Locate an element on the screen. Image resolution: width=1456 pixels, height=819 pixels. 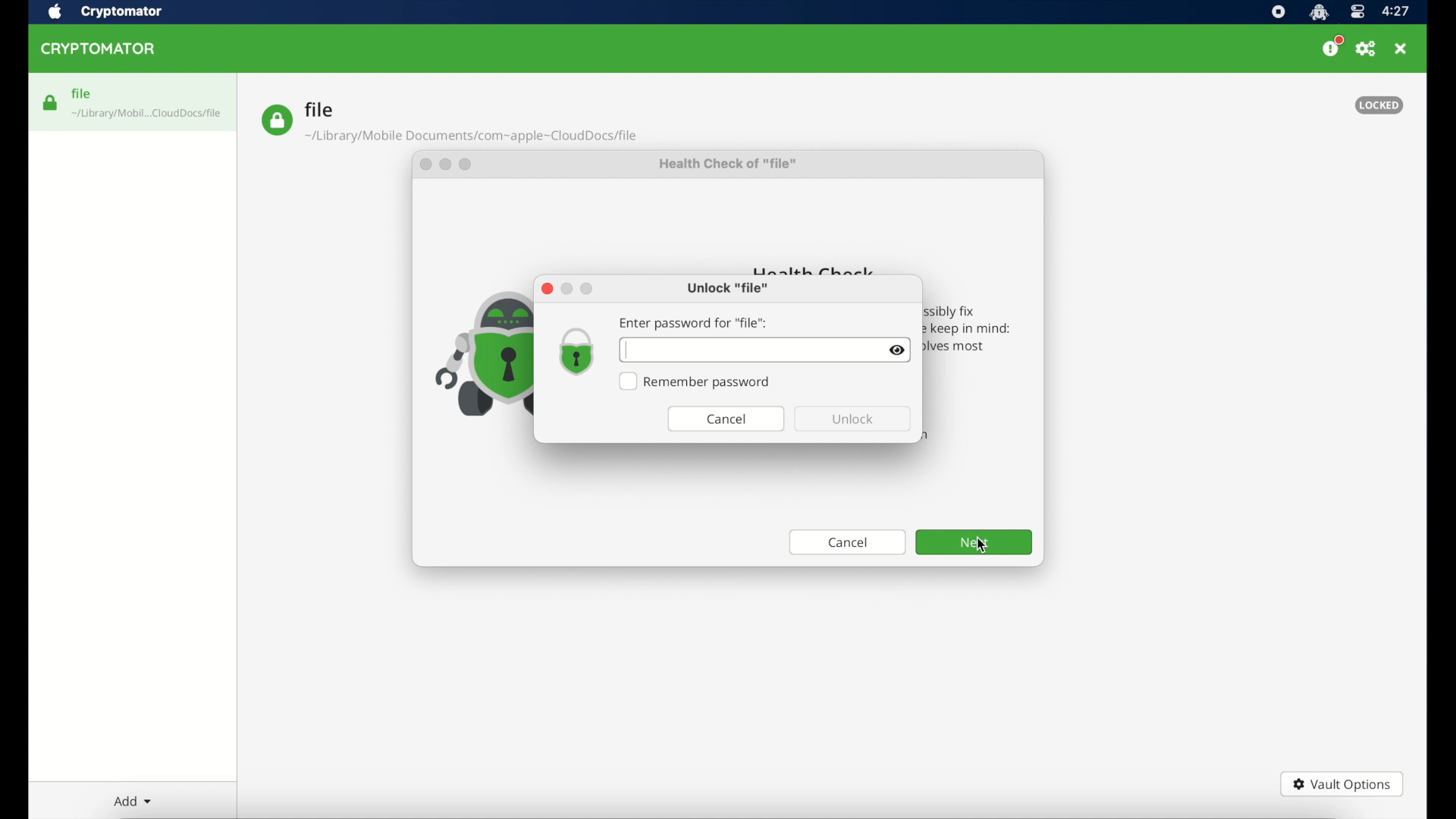
unlock file is located at coordinates (727, 289).